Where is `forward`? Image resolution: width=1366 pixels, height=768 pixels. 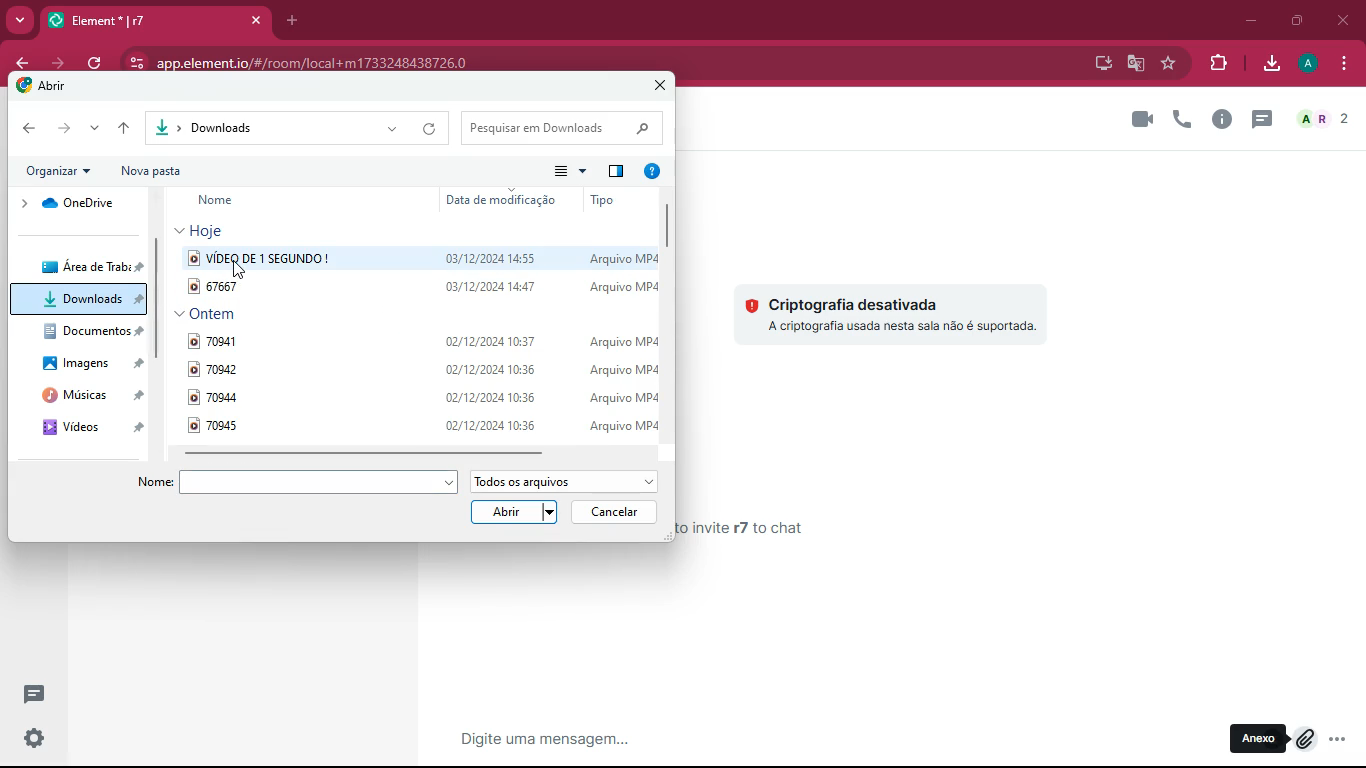
forward is located at coordinates (68, 128).